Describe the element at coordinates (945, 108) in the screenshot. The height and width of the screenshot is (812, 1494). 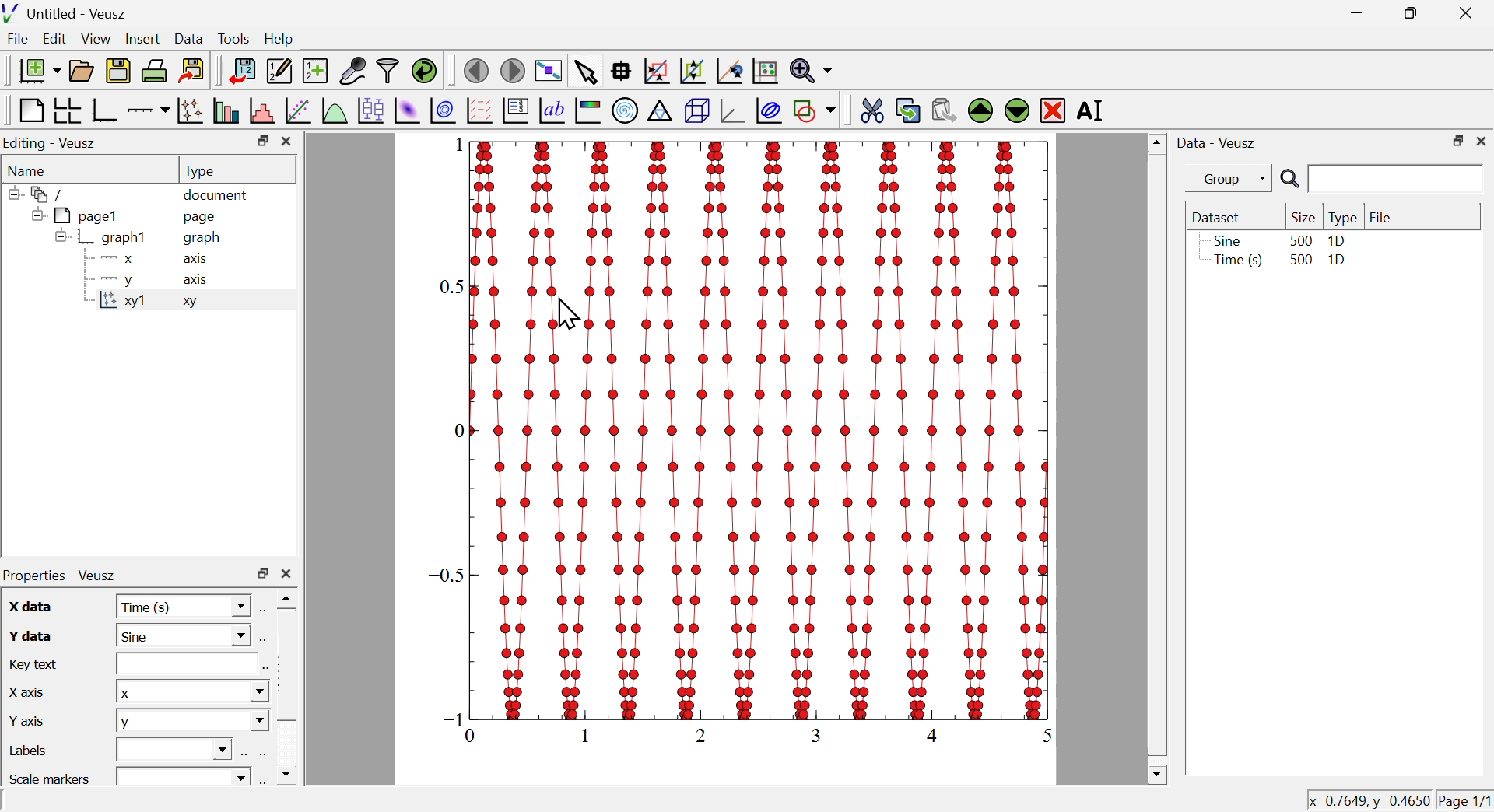
I see `paste widget from the clipboard` at that location.